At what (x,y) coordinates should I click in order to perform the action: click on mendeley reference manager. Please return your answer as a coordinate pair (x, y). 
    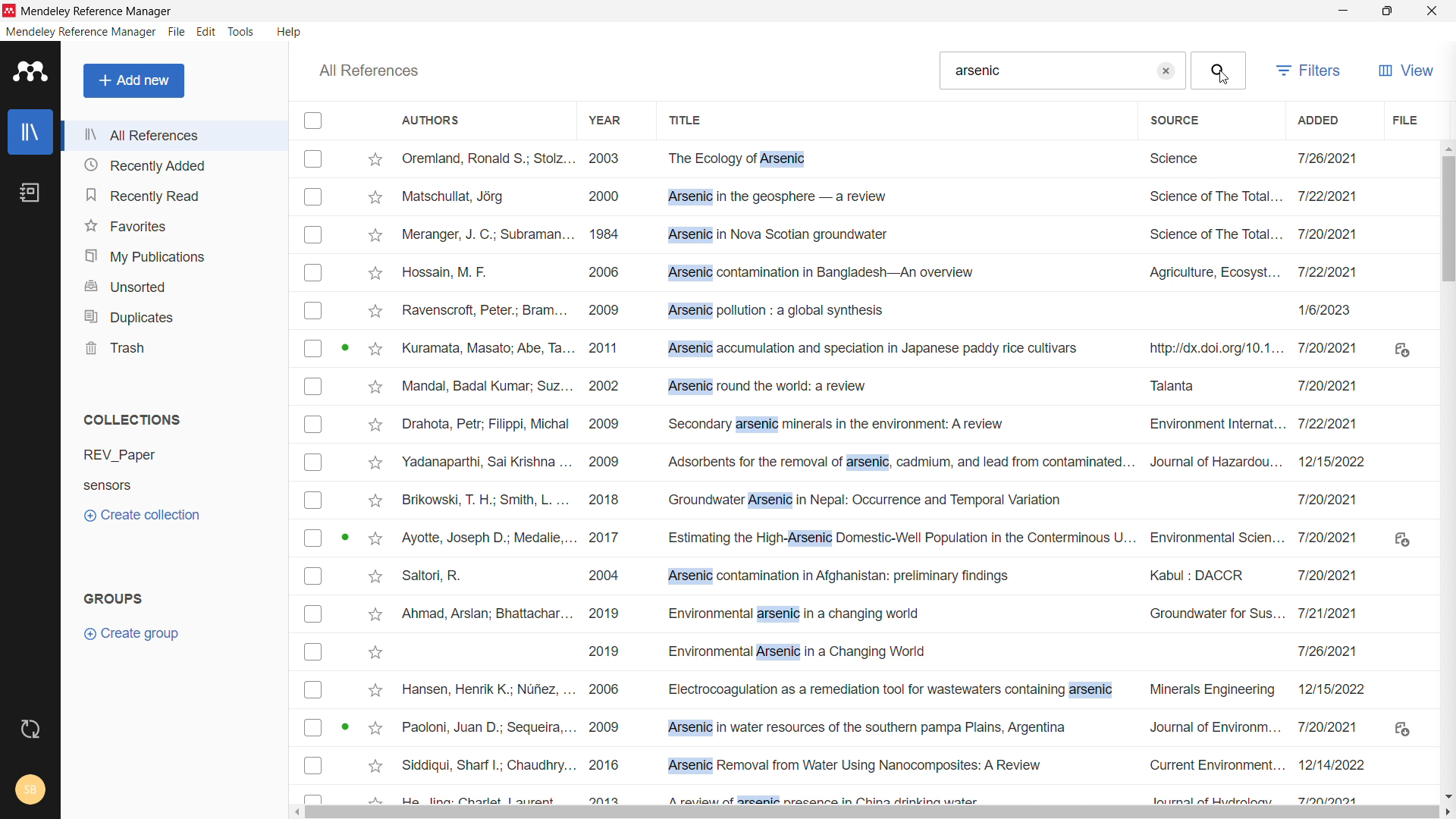
    Looking at the image, I should click on (81, 31).